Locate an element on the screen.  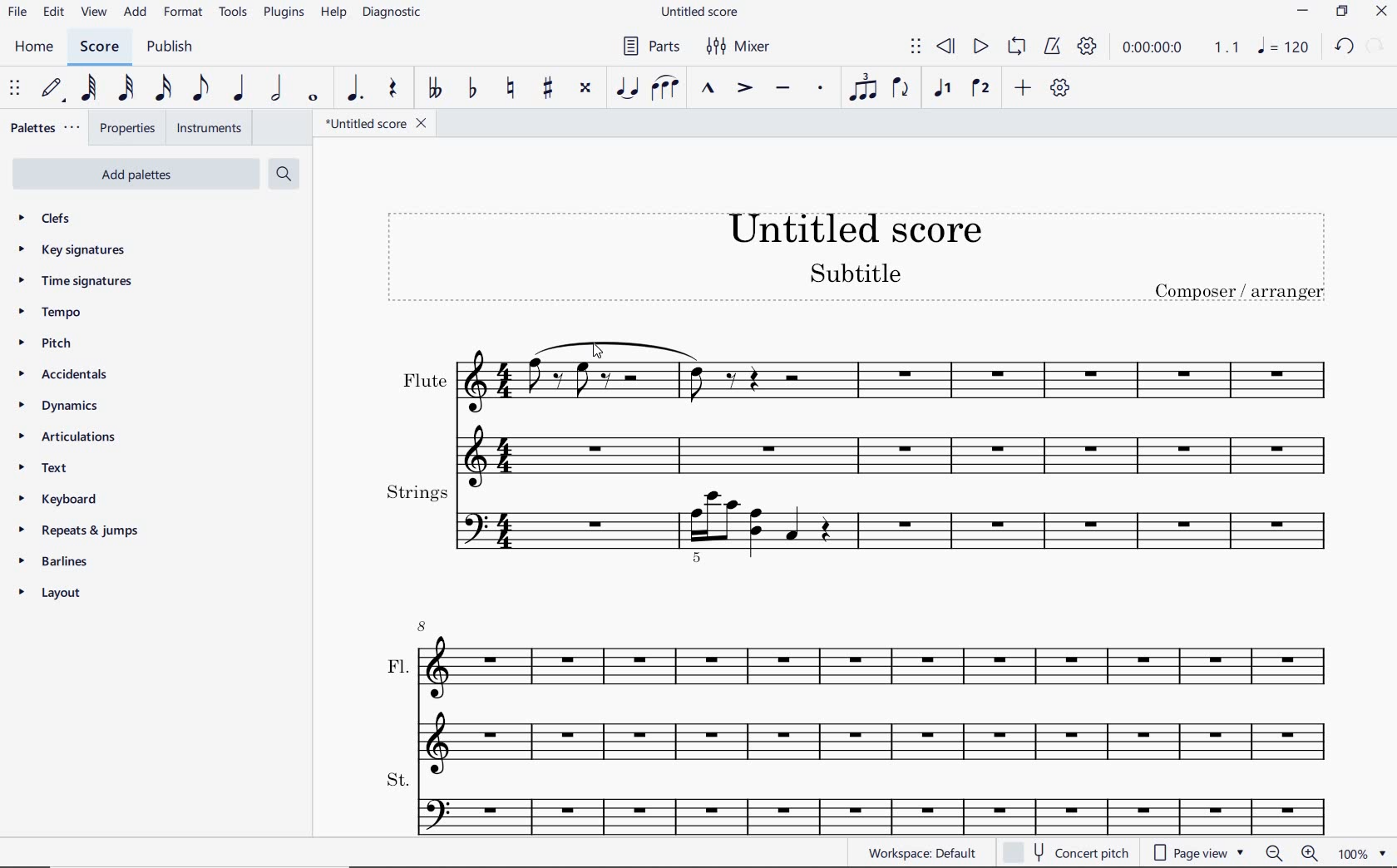
keyboard is located at coordinates (55, 499).